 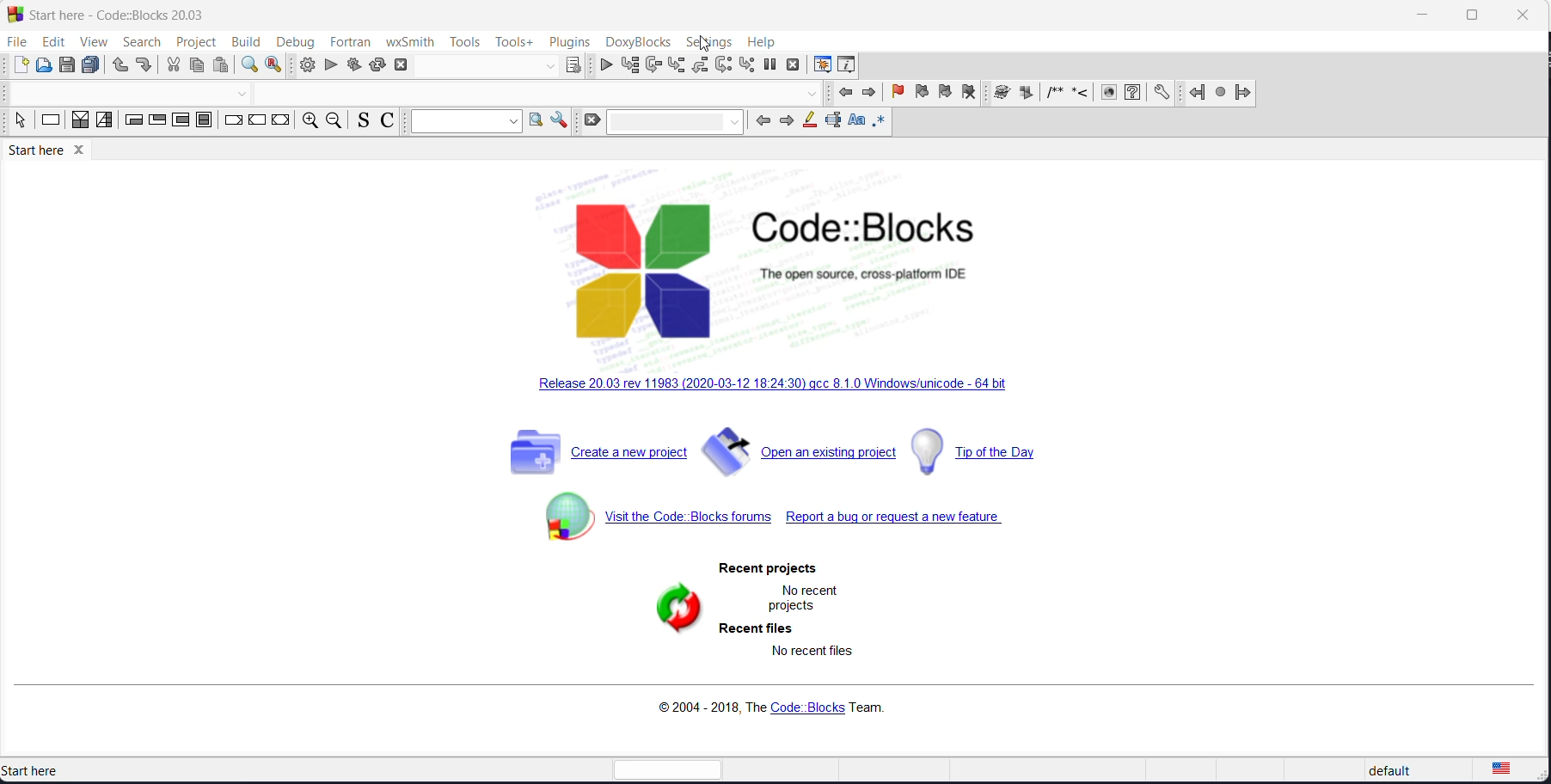 I want to click on help, so click(x=761, y=41).